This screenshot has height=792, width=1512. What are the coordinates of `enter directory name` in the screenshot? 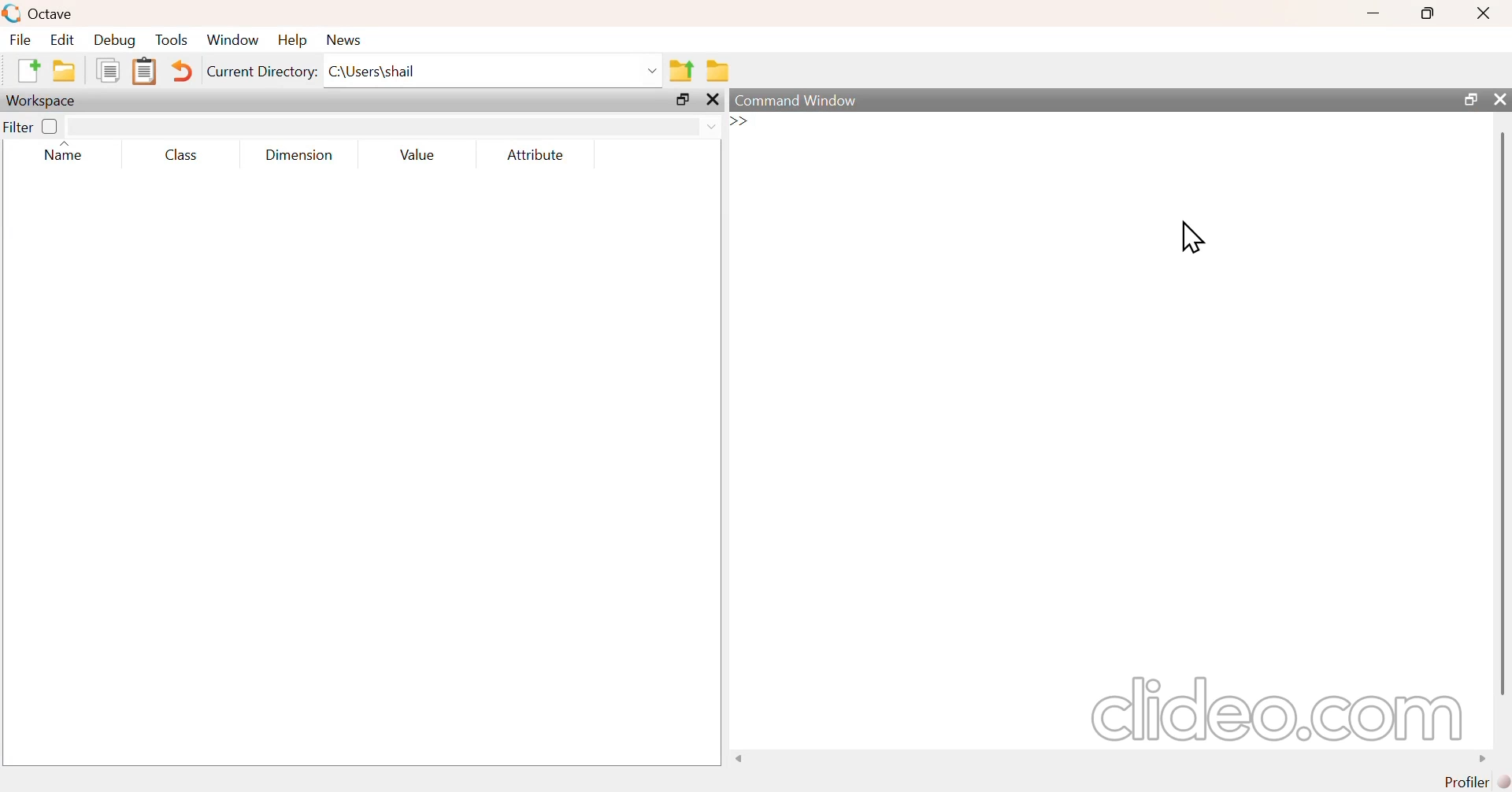 It's located at (491, 72).